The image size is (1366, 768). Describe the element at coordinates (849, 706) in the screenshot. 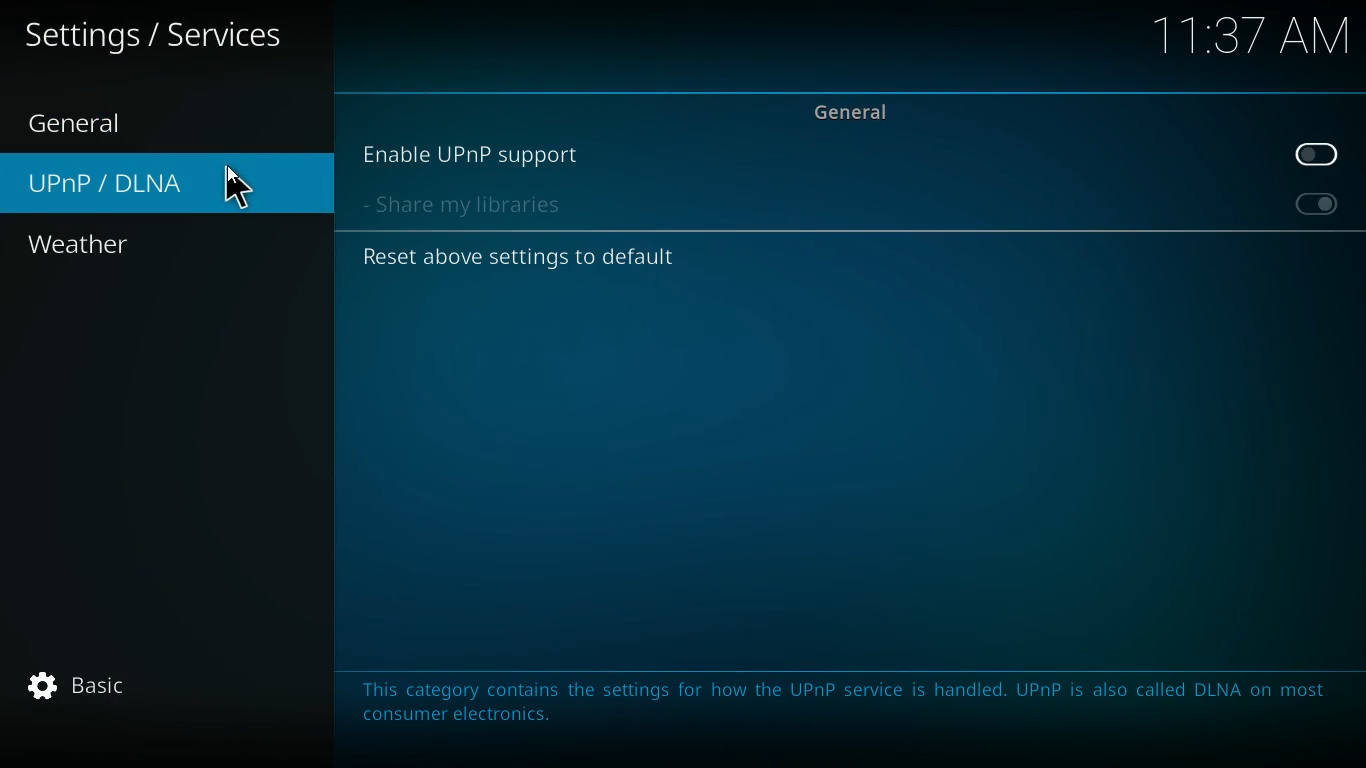

I see `This category contains the settings for how the UPnP service is handled. UPnP is also called DLNA on most
consumer electronics.` at that location.